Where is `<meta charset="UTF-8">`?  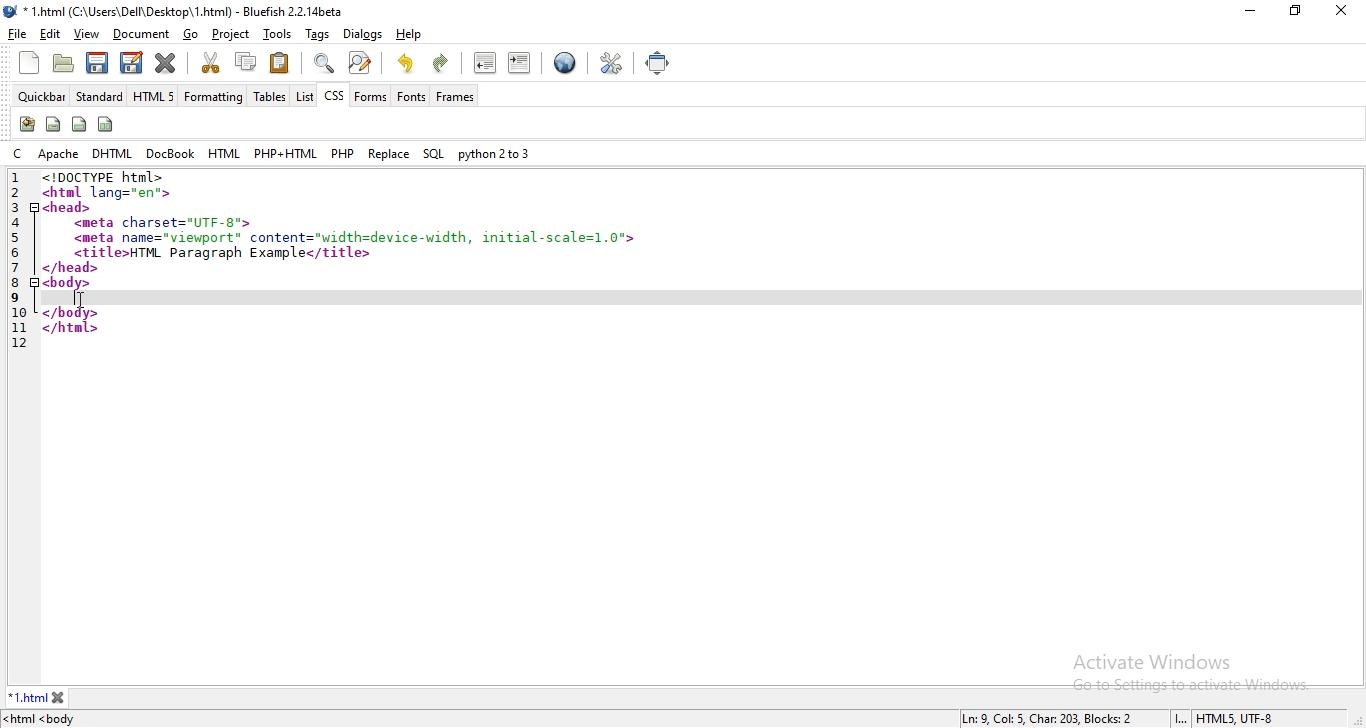
<meta charset="UTF-8"> is located at coordinates (164, 223).